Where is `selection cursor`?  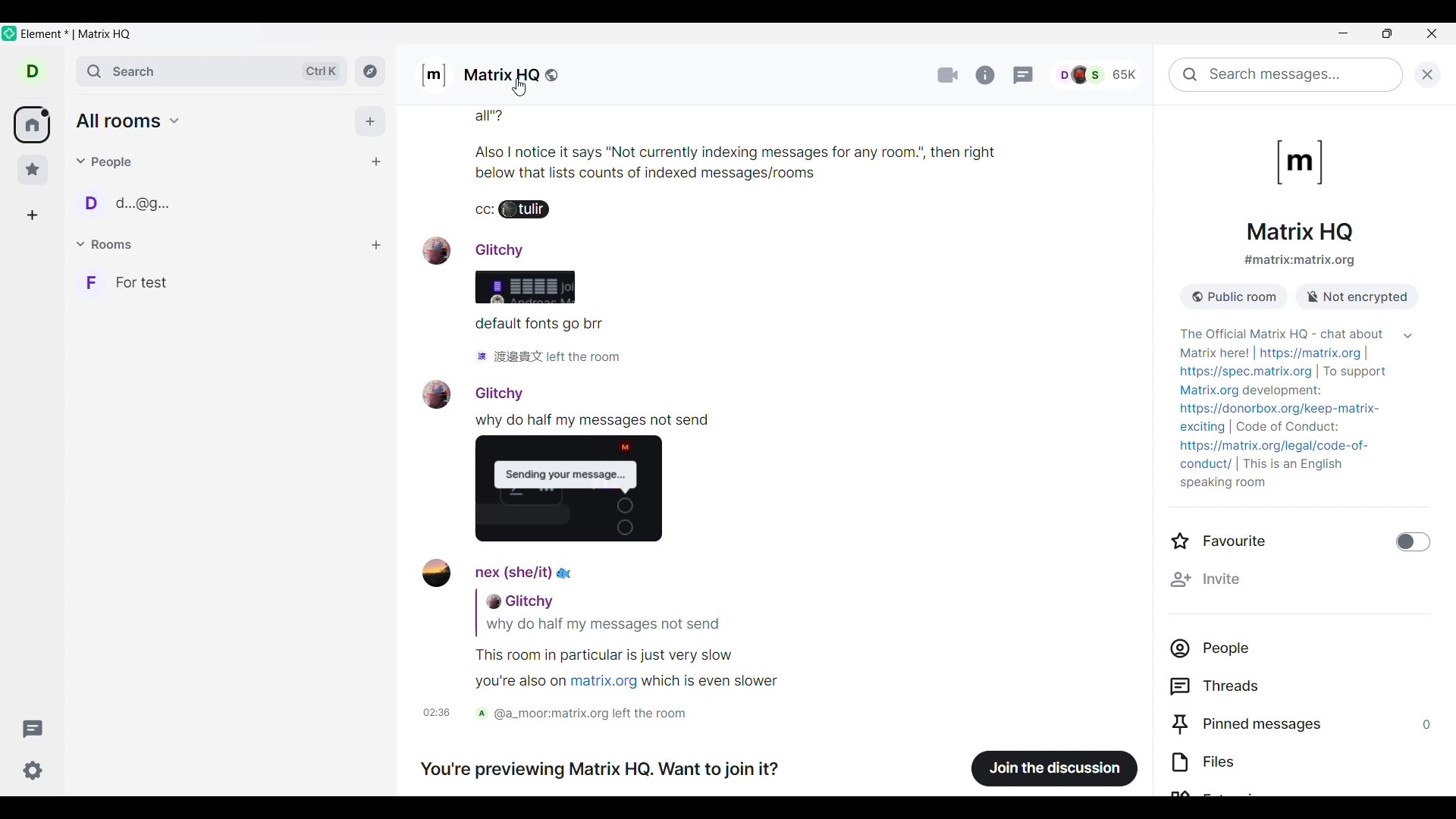 selection cursor is located at coordinates (522, 87).